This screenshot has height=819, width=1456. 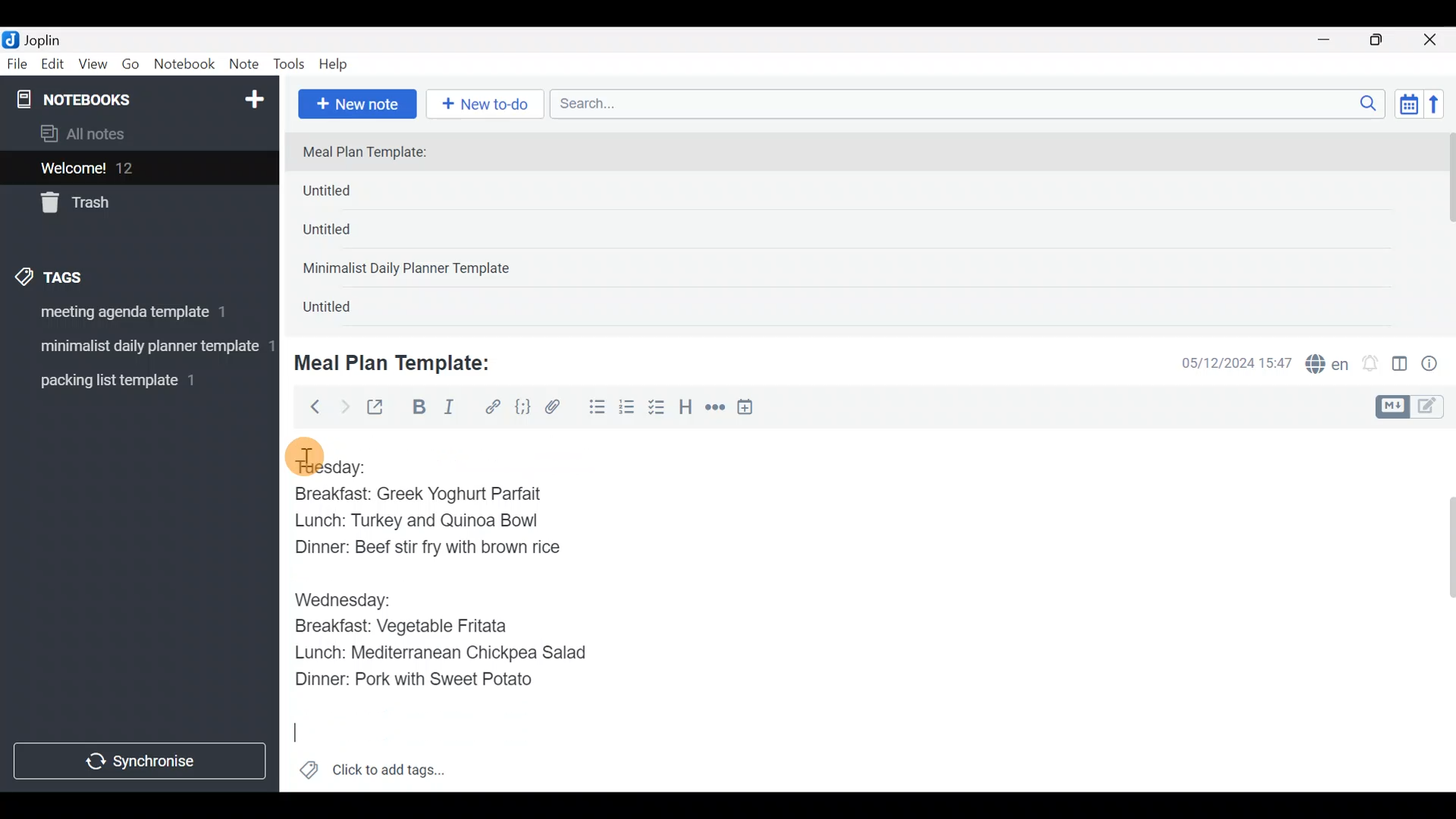 I want to click on Italic, so click(x=447, y=410).